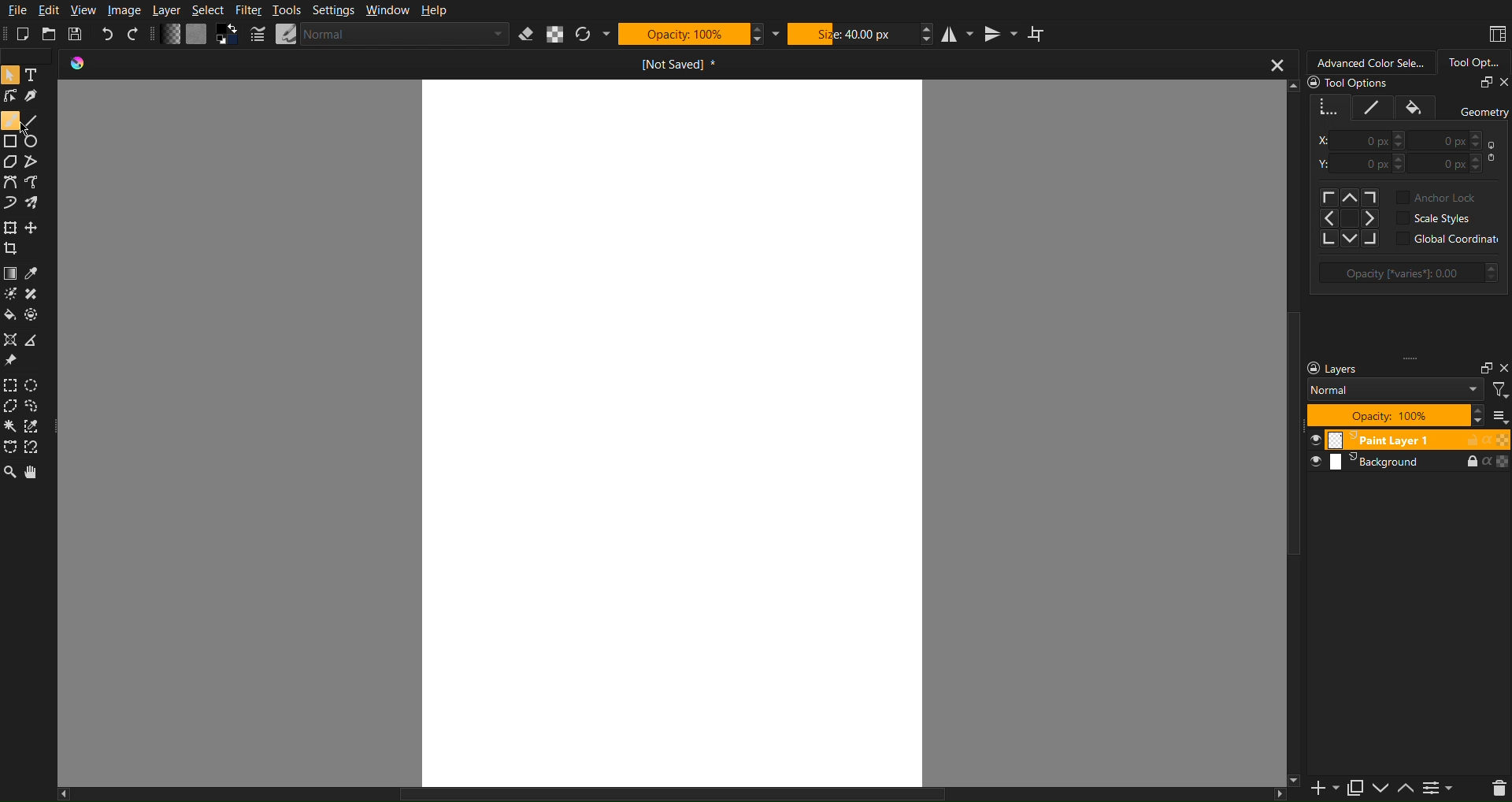 The height and width of the screenshot is (802, 1512). What do you see at coordinates (959, 34) in the screenshot?
I see `Horizontal Mirror` at bounding box center [959, 34].